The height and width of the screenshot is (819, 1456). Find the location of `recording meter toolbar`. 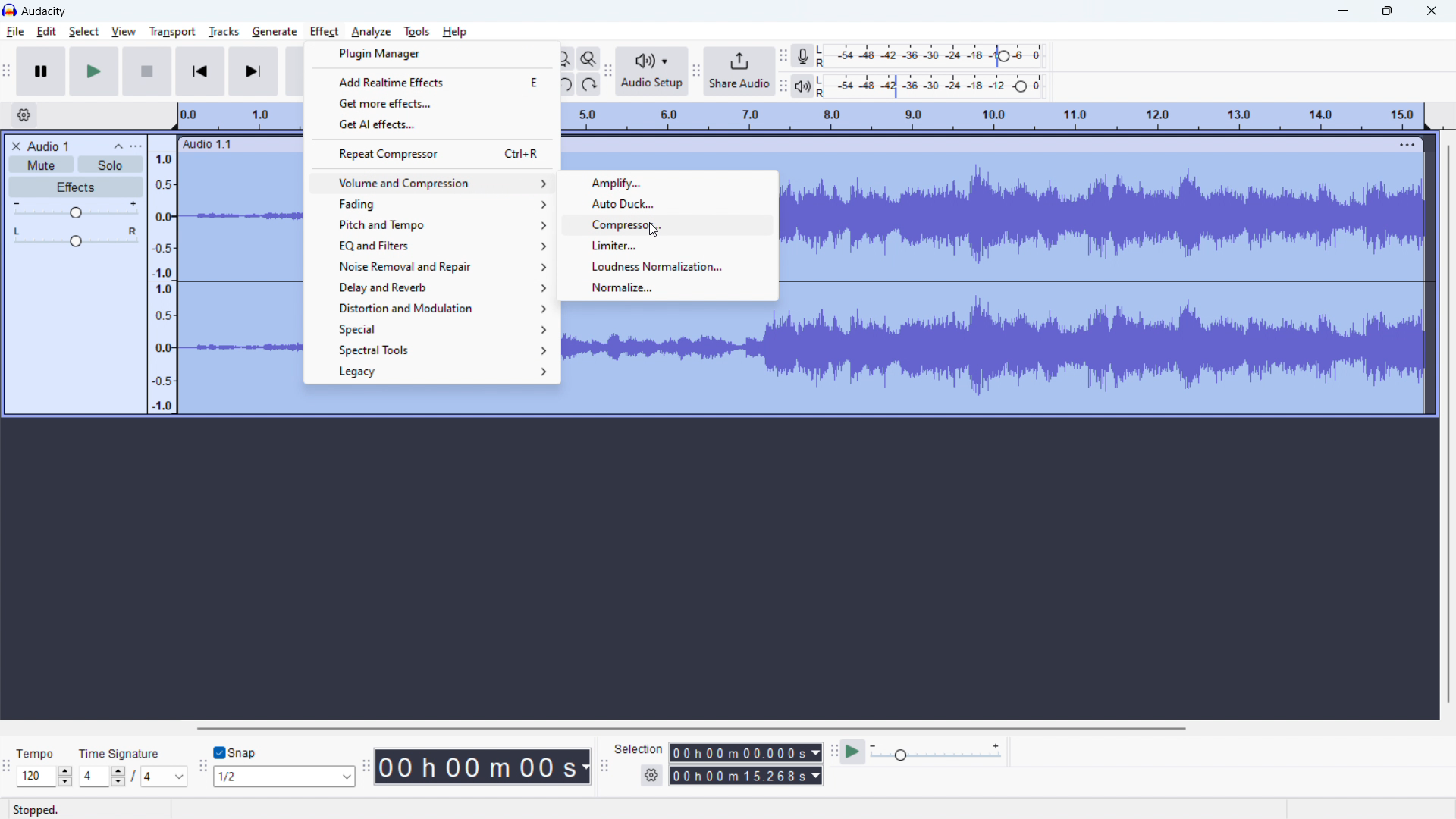

recording meter toolbar is located at coordinates (783, 56).